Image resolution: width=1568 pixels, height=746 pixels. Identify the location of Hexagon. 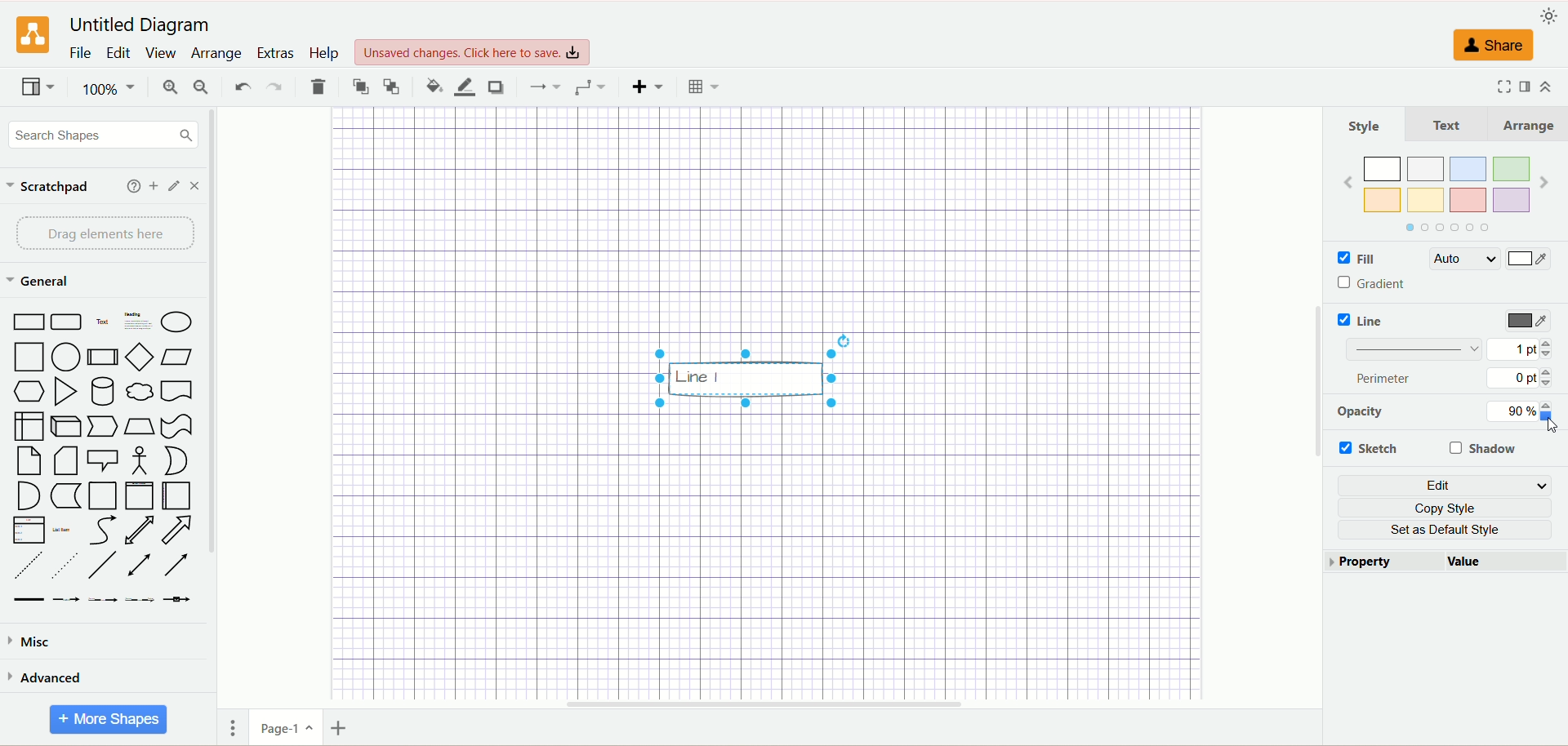
(29, 393).